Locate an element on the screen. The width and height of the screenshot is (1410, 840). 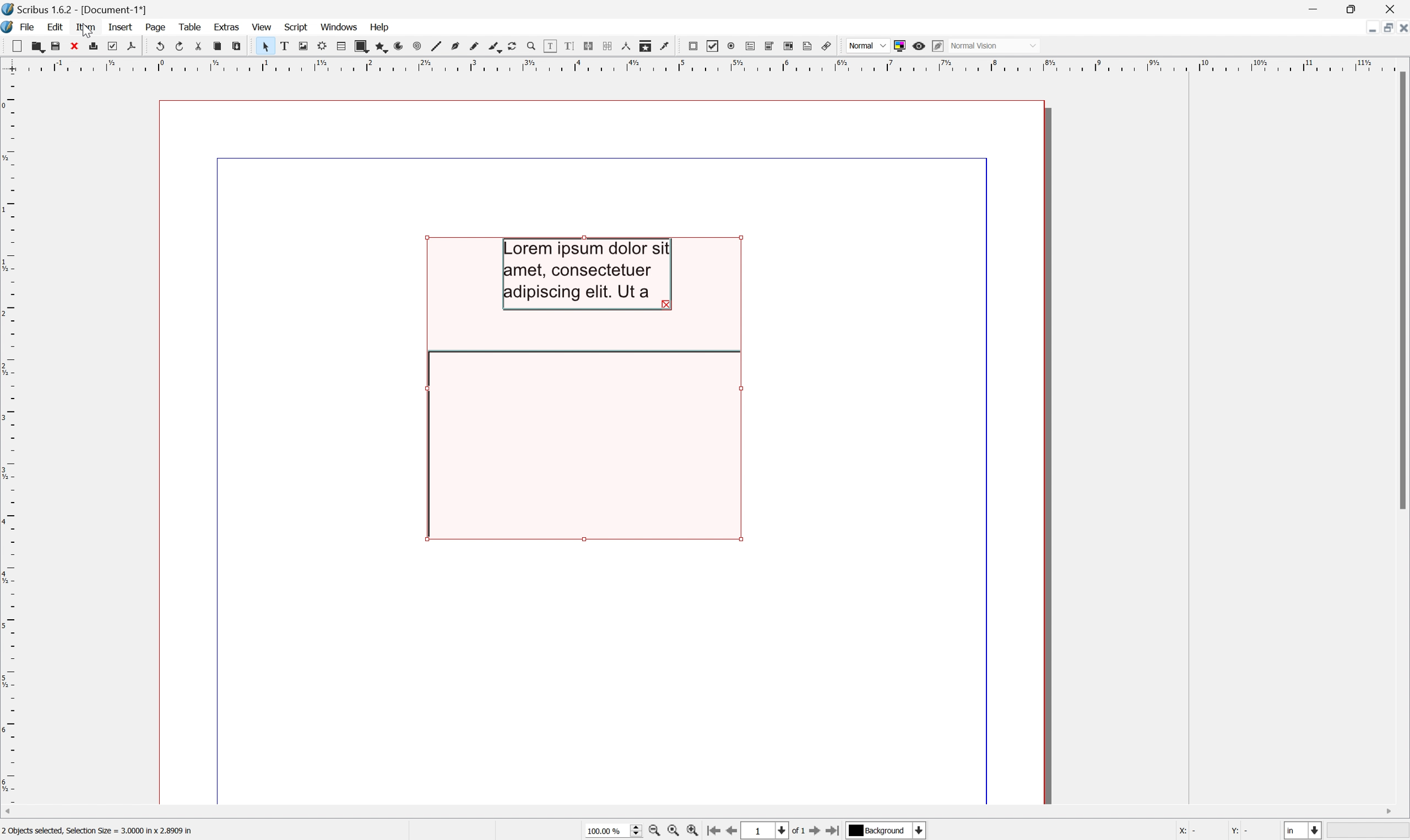
of 1 is located at coordinates (796, 832).